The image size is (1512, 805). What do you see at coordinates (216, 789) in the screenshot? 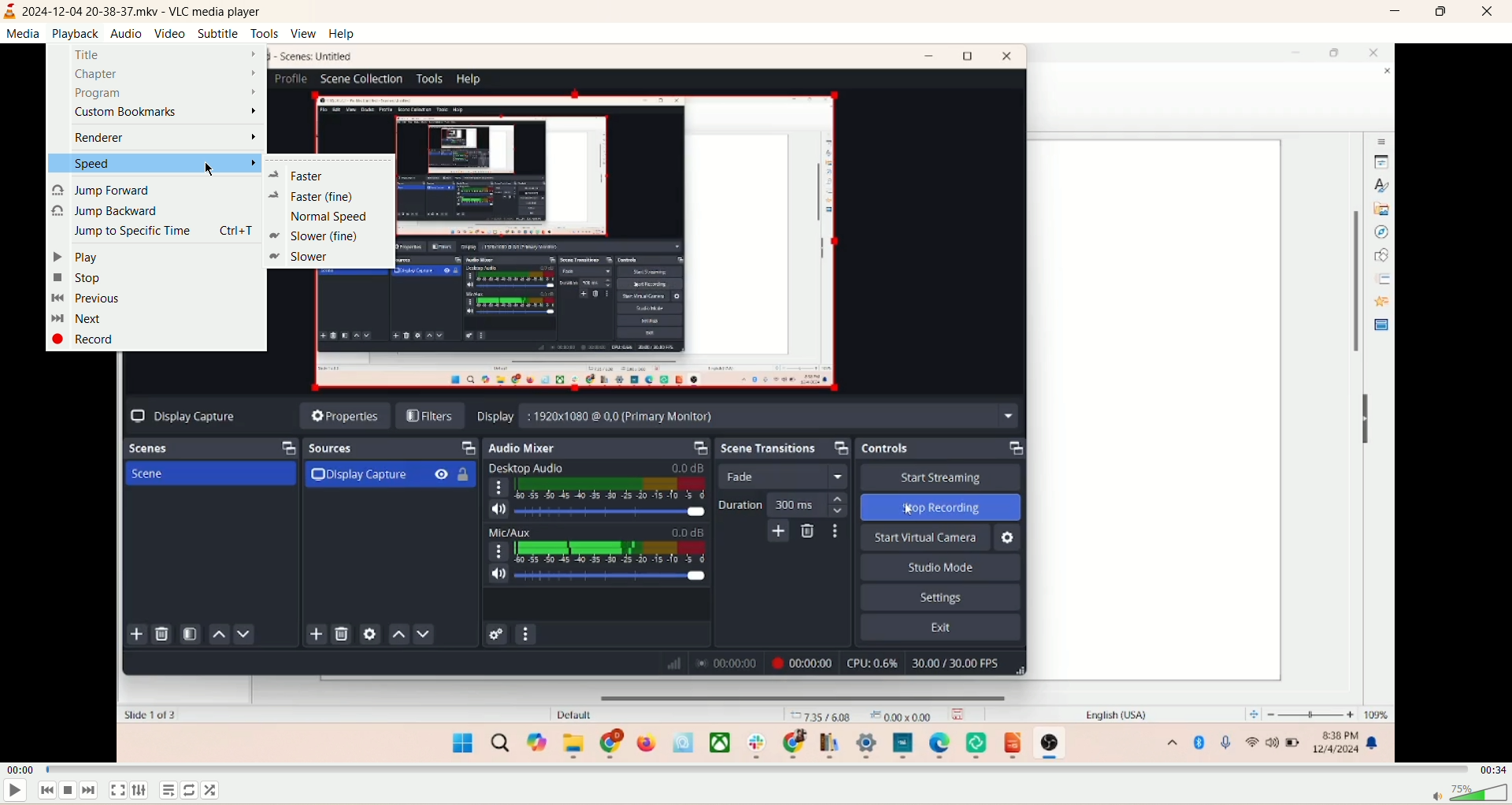
I see `shuffle` at bounding box center [216, 789].